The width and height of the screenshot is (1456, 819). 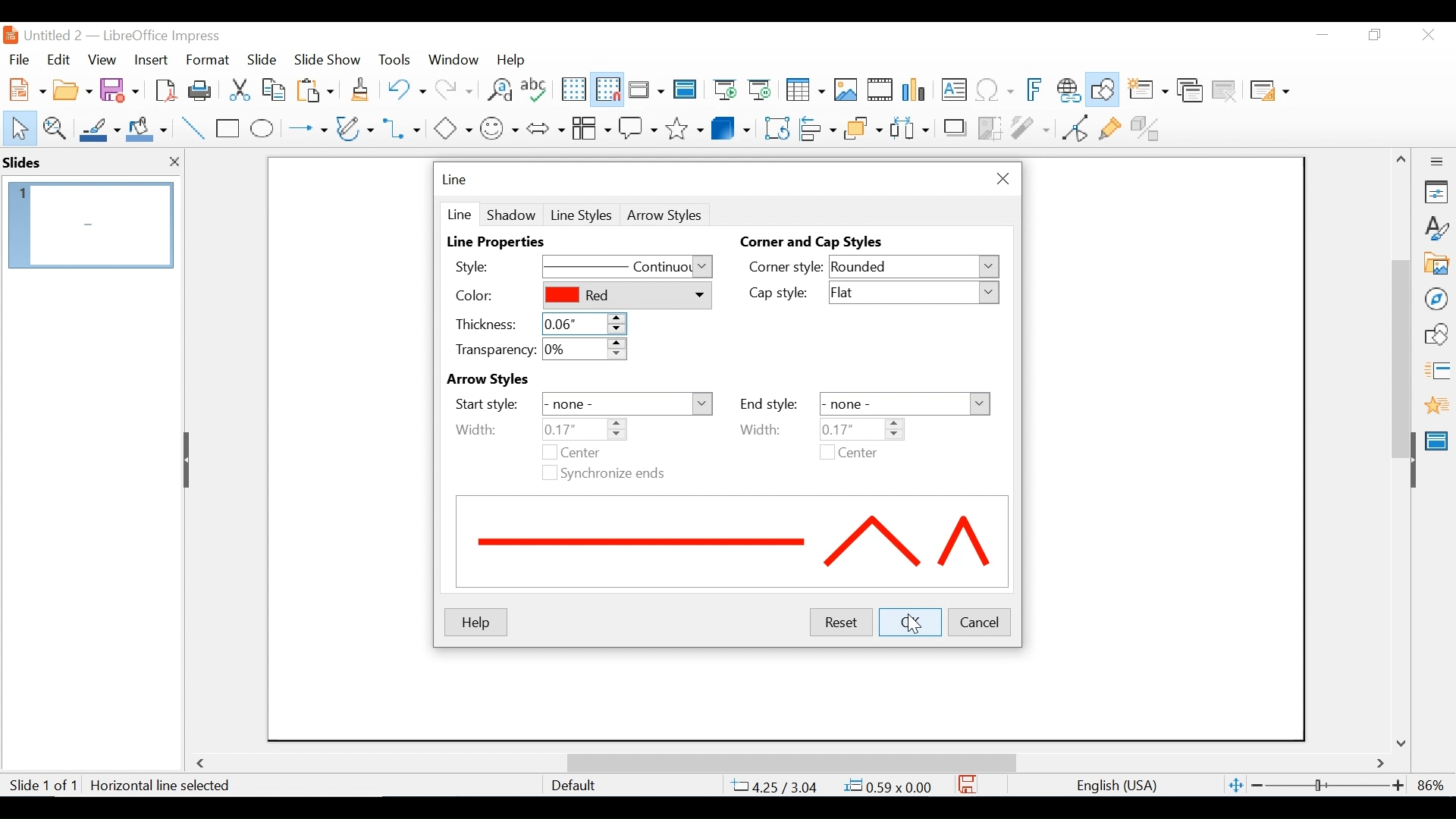 What do you see at coordinates (667, 215) in the screenshot?
I see `Arrow Style` at bounding box center [667, 215].